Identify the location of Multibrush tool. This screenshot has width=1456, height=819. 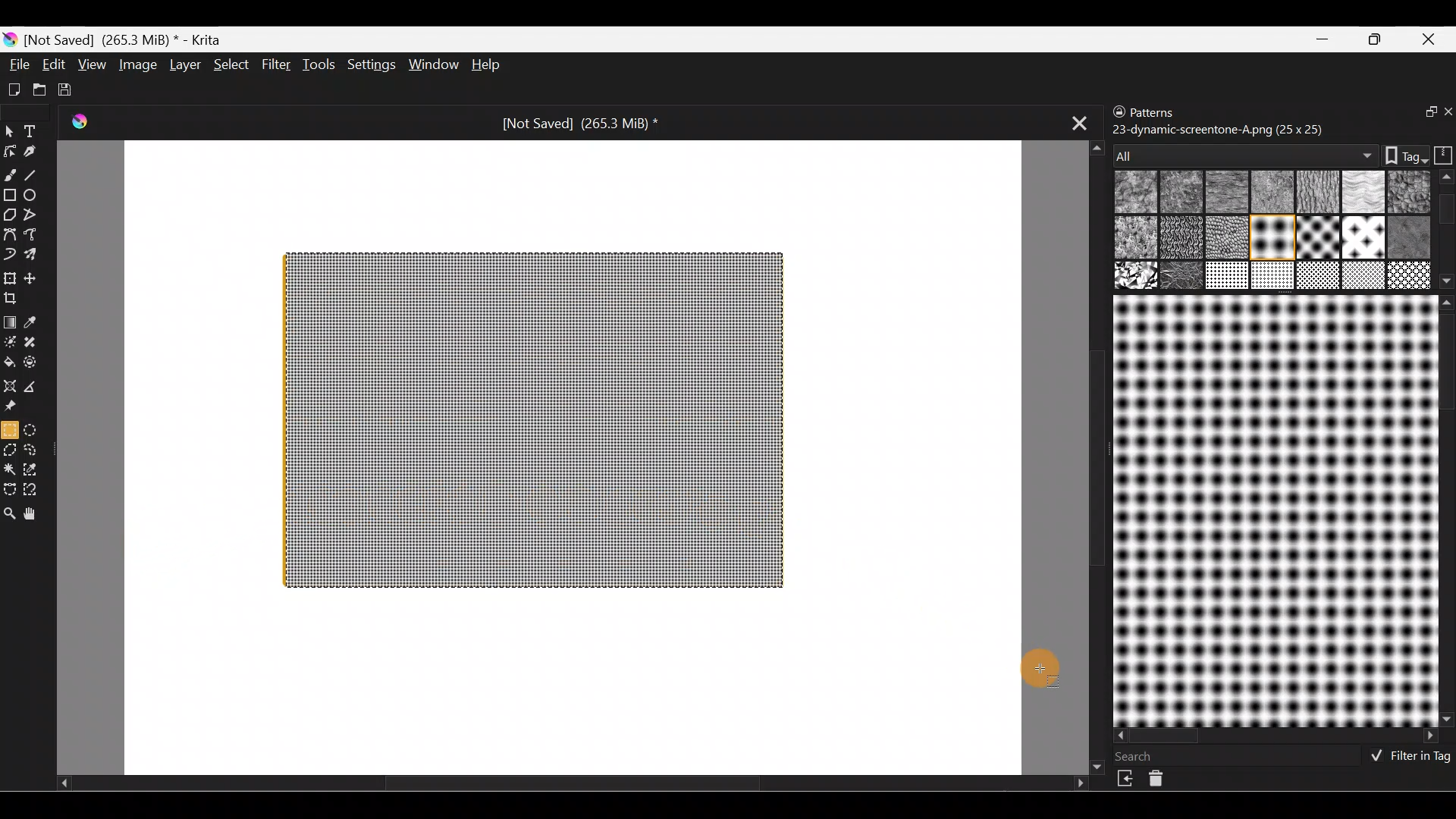
(36, 256).